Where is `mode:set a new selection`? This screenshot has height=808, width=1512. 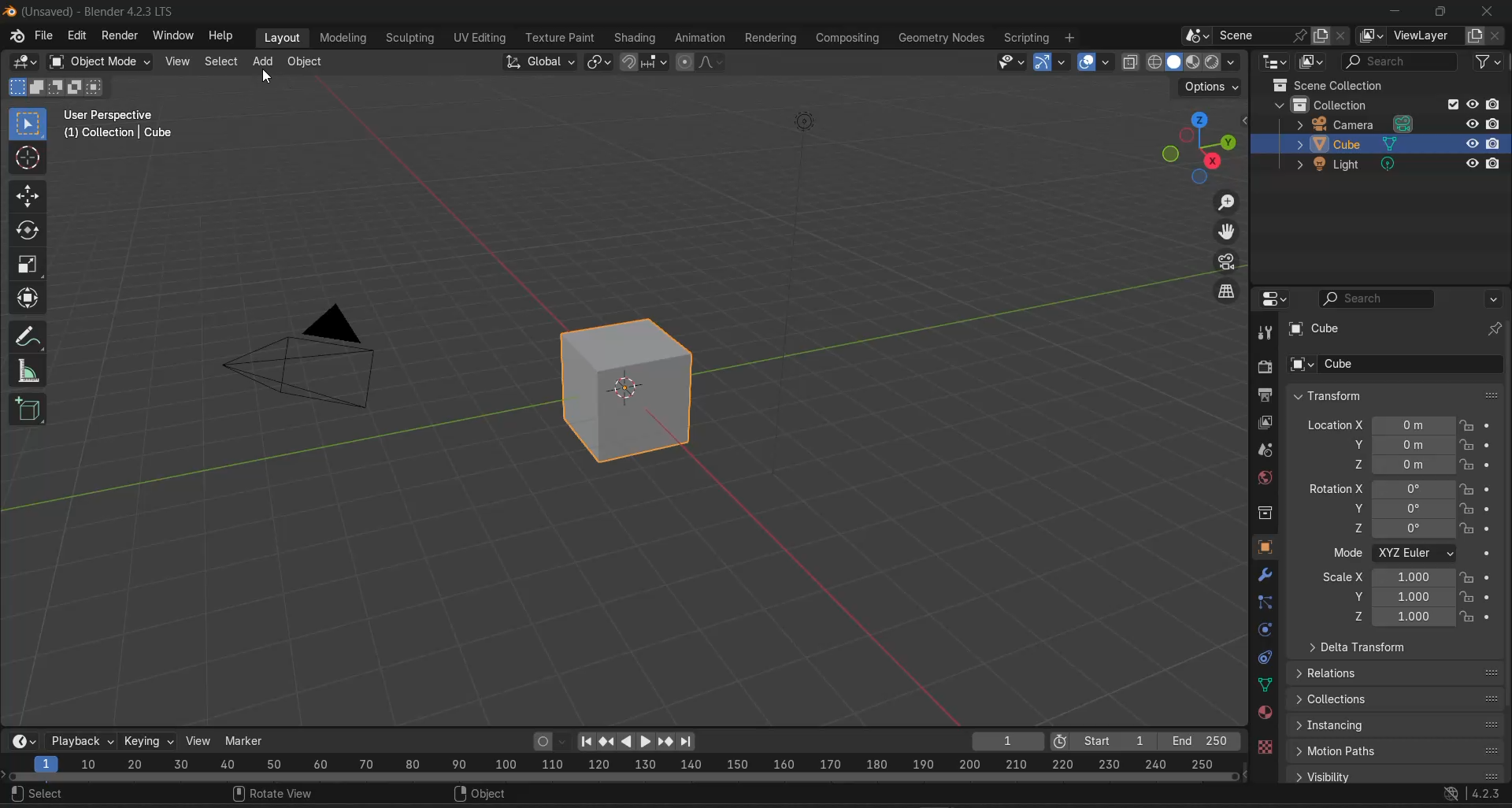
mode:set a new selection is located at coordinates (16, 87).